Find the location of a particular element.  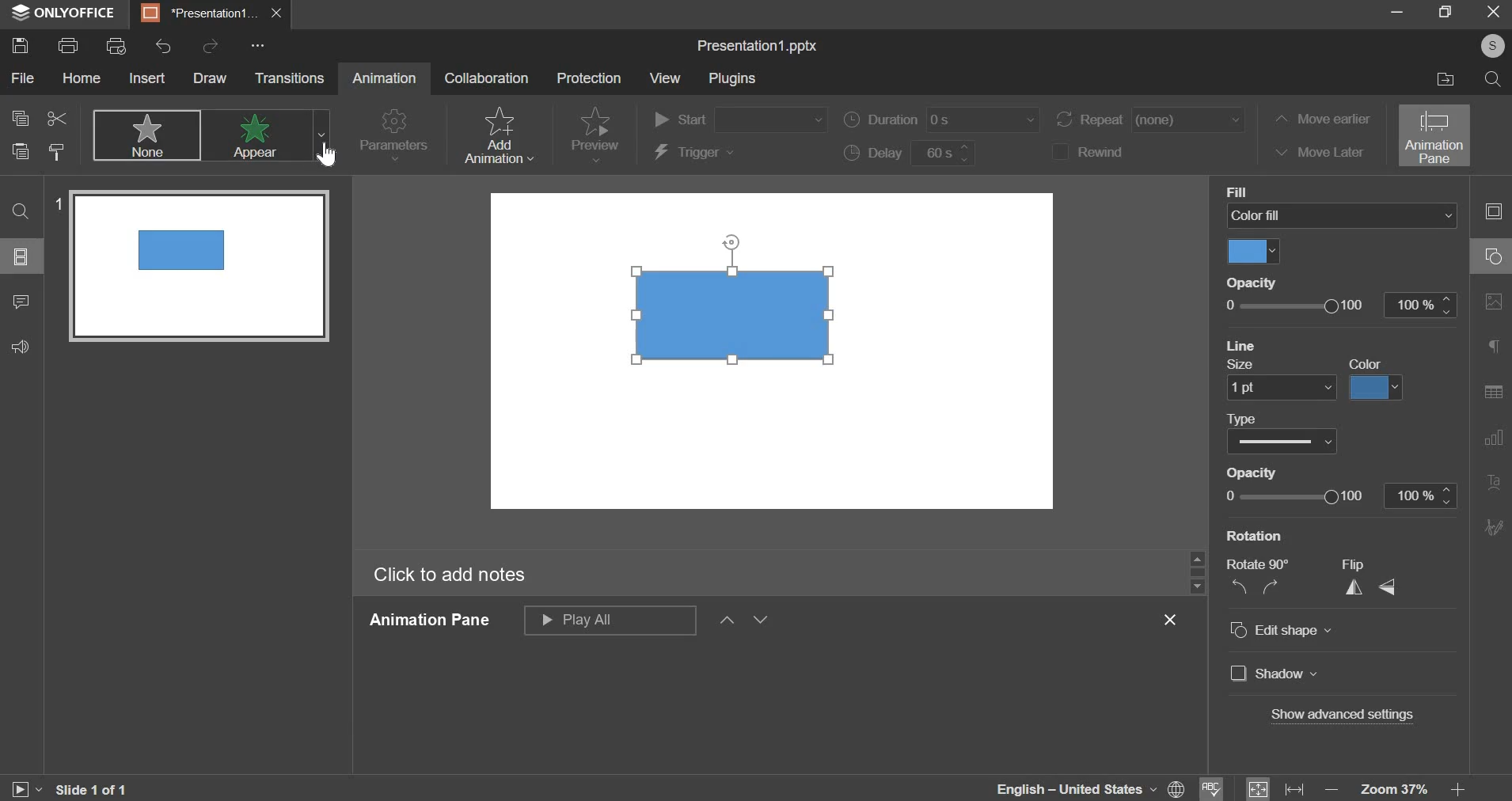

start is located at coordinates (739, 117).